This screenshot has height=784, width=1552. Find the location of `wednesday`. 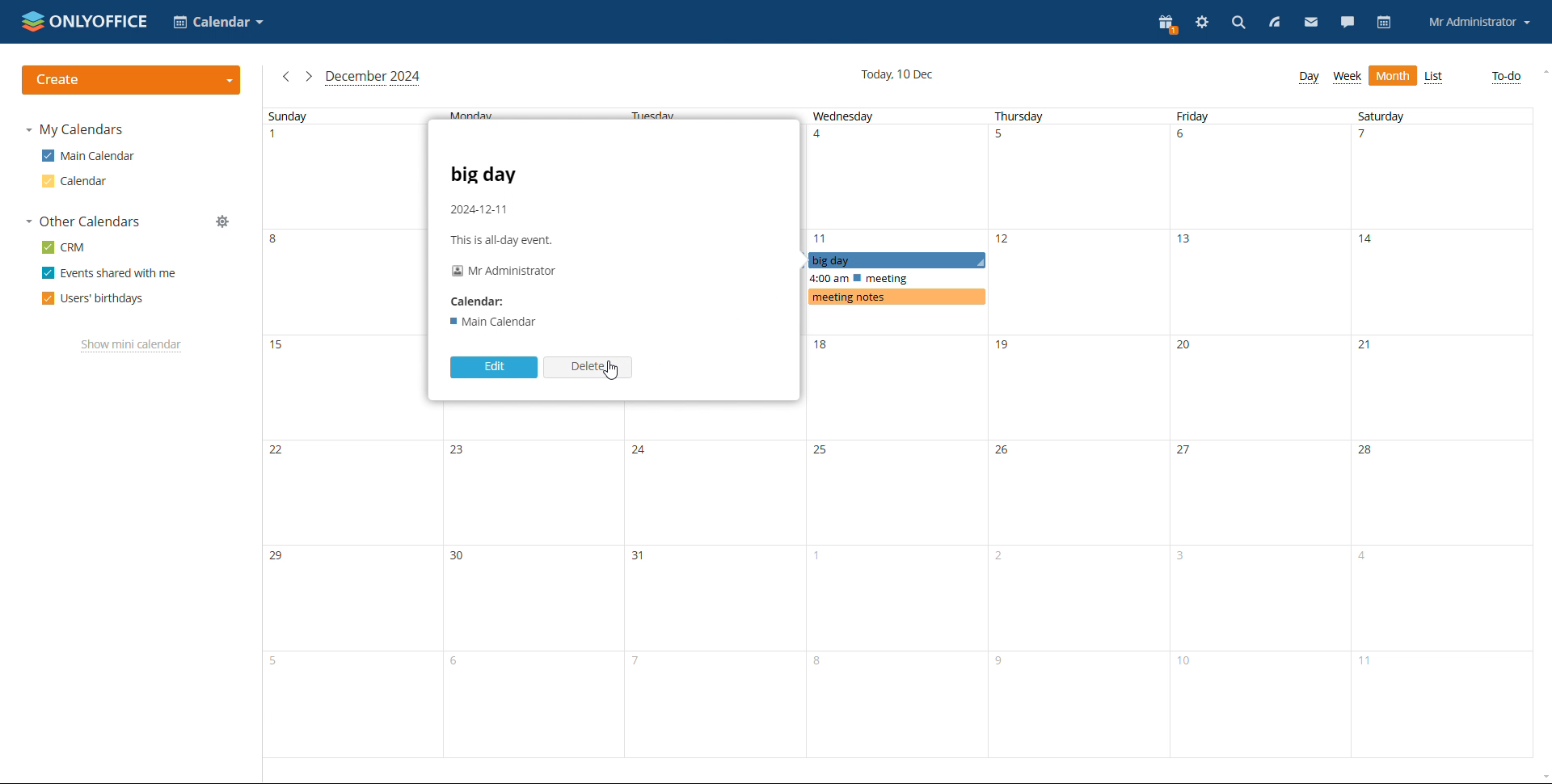

wednesday is located at coordinates (896, 436).